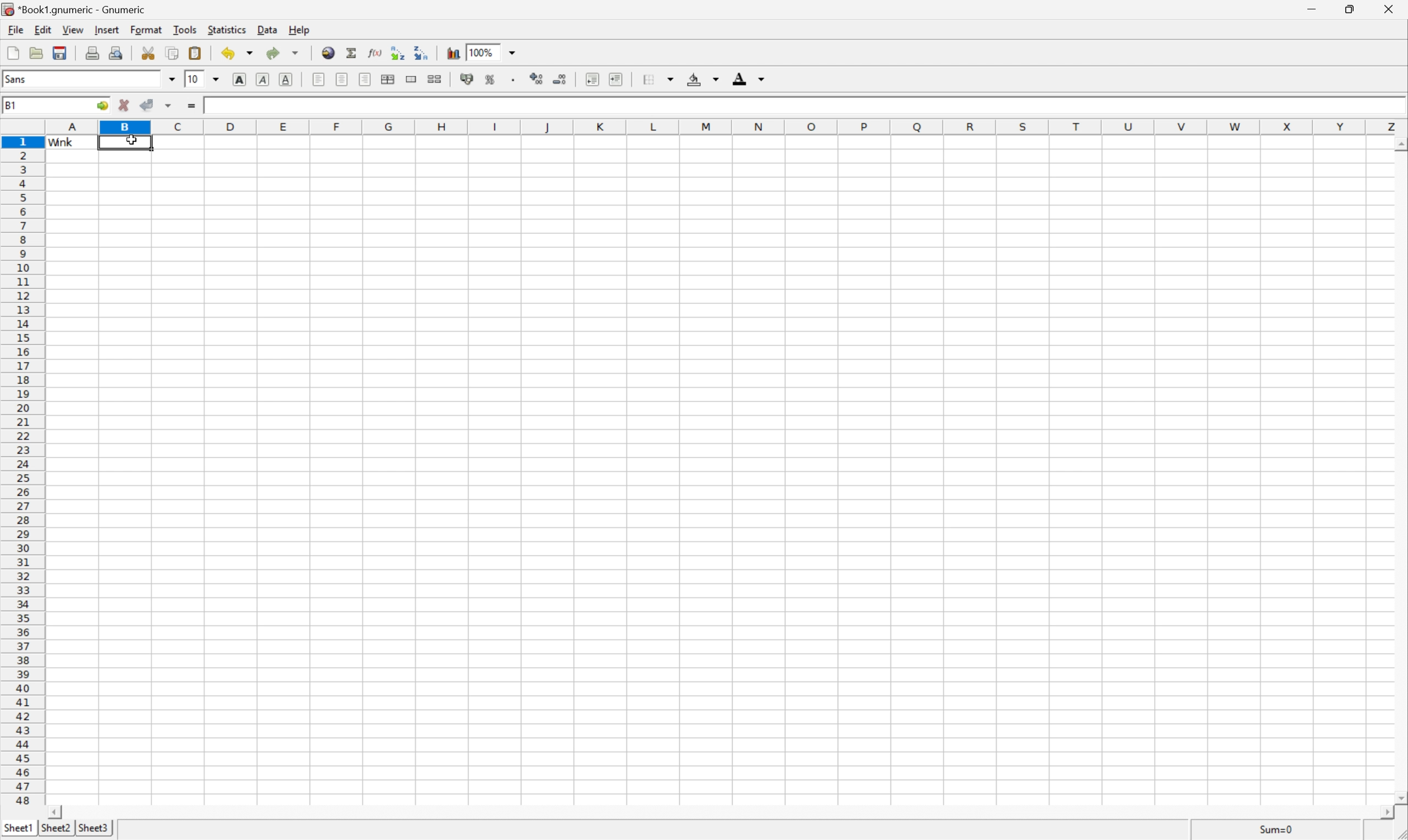 The width and height of the screenshot is (1408, 840). Describe the element at coordinates (453, 53) in the screenshot. I see `insert chart` at that location.